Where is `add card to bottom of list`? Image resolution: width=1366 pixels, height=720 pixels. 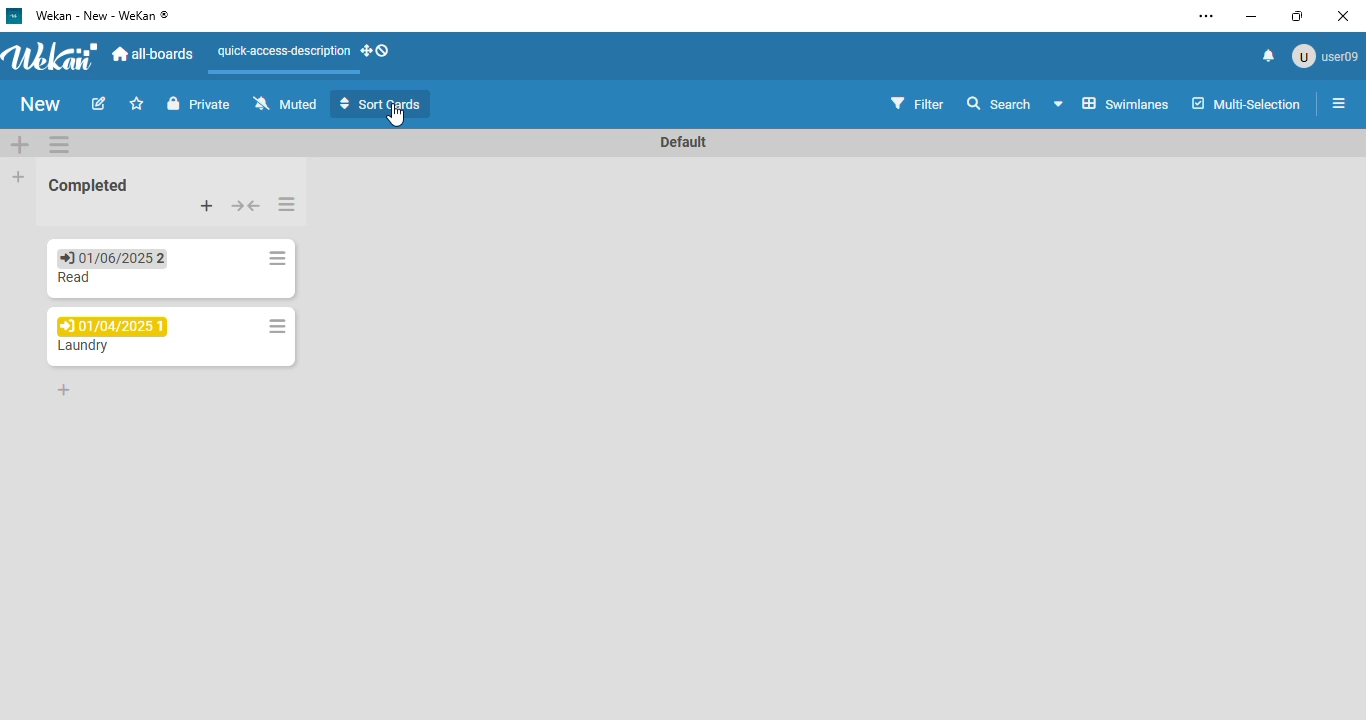 add card to bottom of list is located at coordinates (64, 390).